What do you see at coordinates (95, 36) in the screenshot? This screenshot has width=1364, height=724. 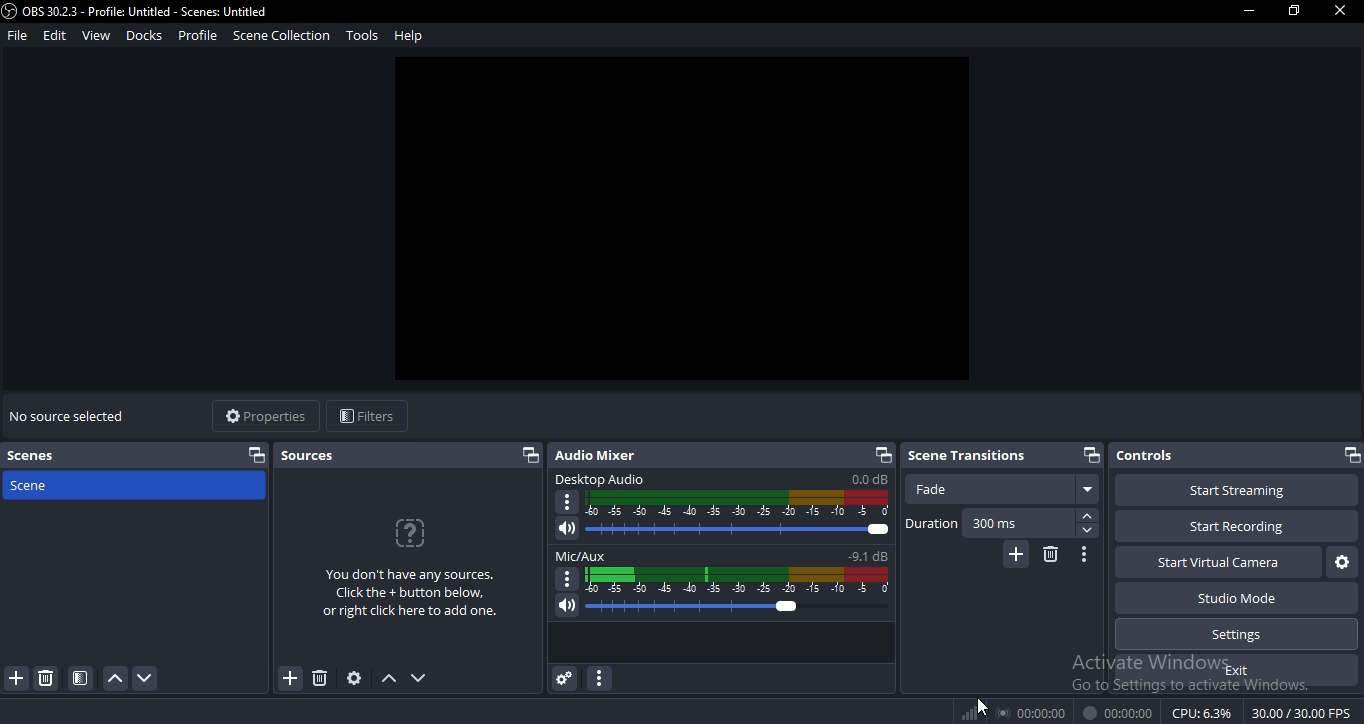 I see `view` at bounding box center [95, 36].